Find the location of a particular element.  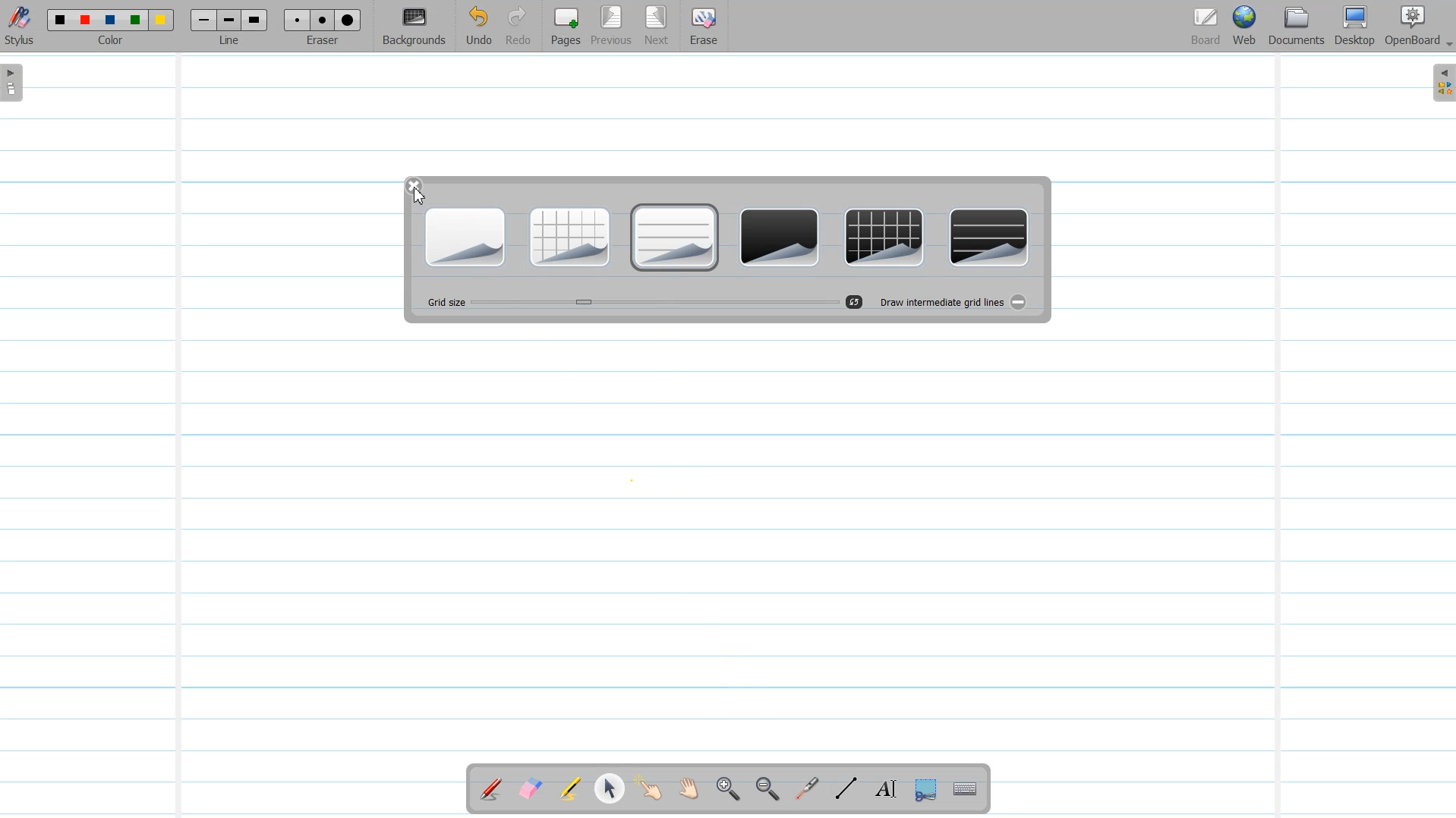

Web is located at coordinates (1246, 27).